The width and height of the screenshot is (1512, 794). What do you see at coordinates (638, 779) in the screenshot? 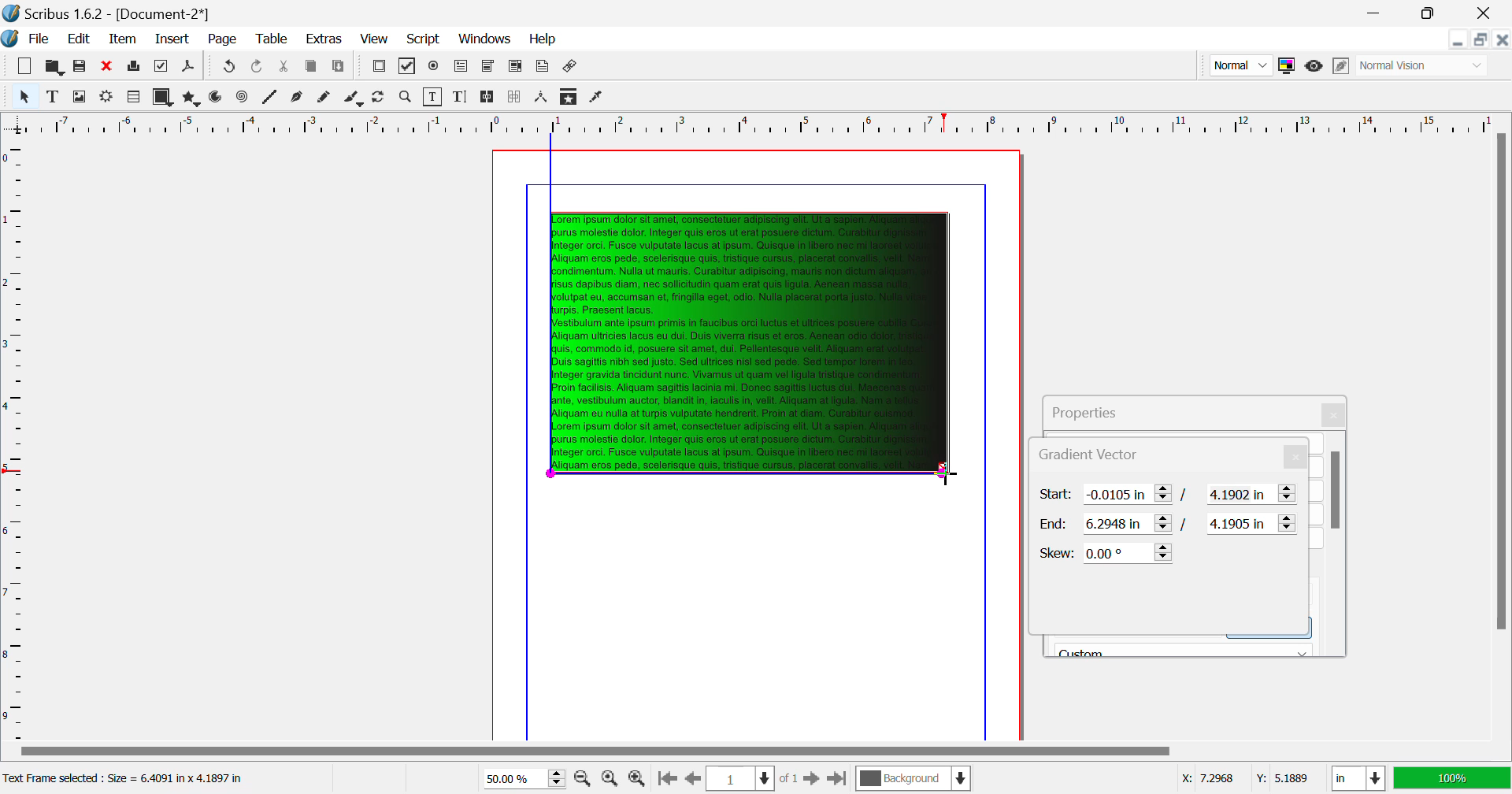
I see `Zoom In` at bounding box center [638, 779].